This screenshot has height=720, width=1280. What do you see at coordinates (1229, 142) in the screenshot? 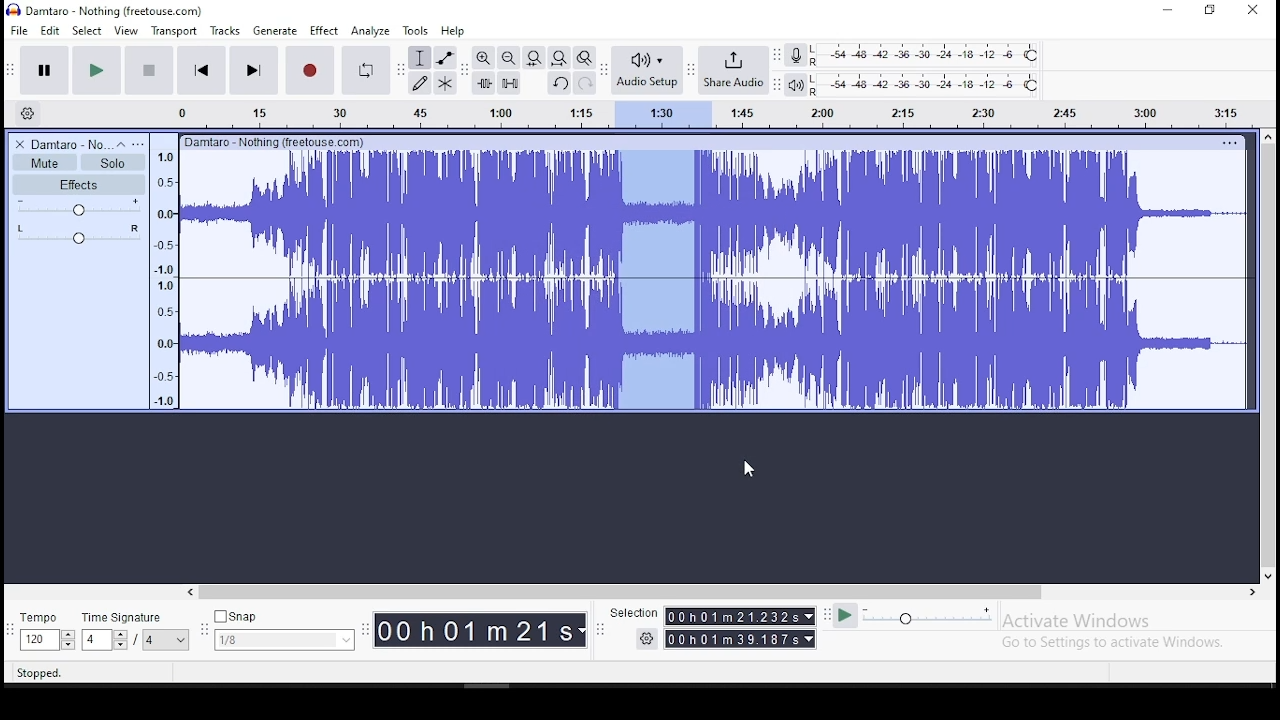
I see `` at bounding box center [1229, 142].